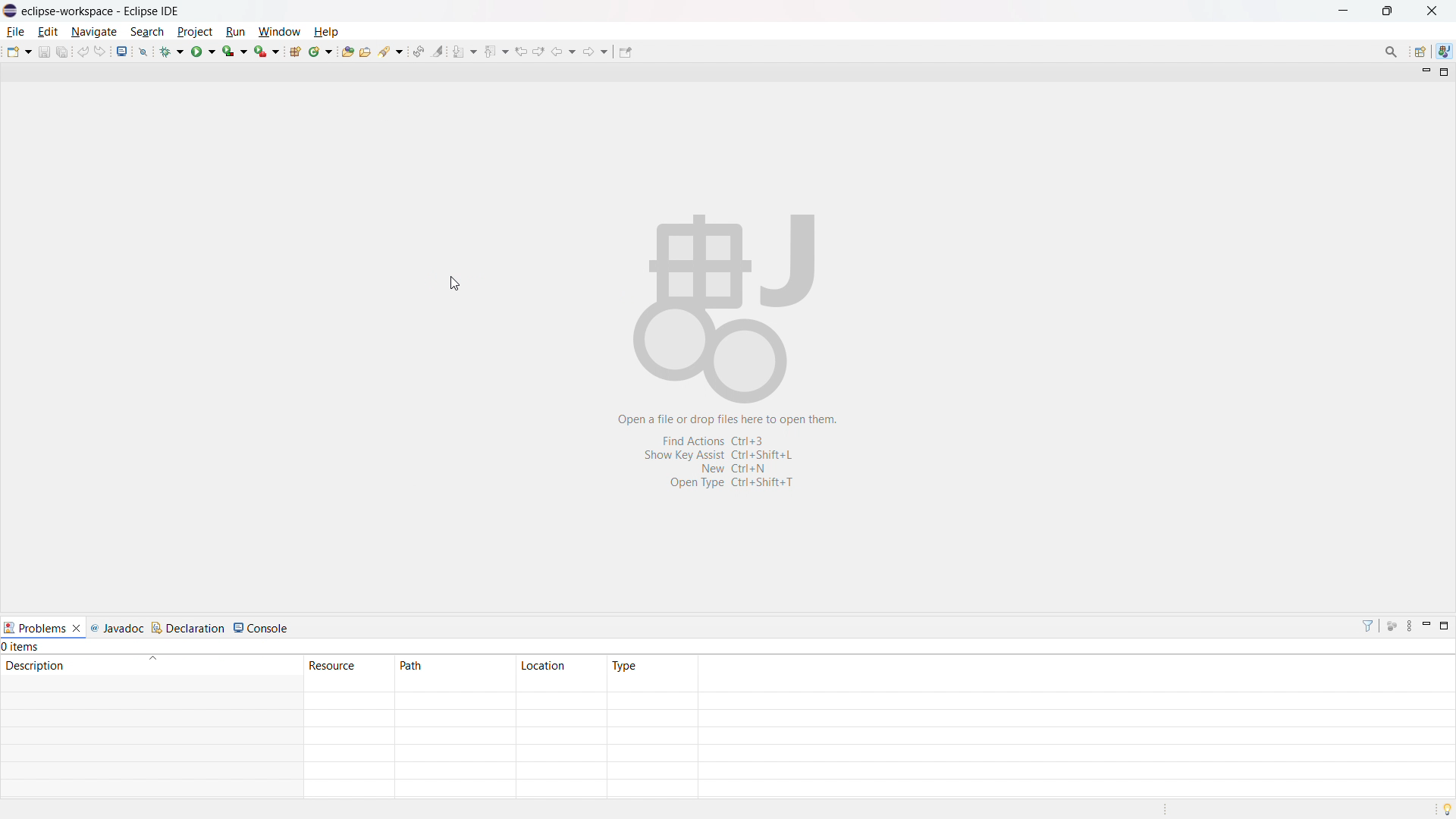 The image size is (1456, 819). Describe the element at coordinates (320, 51) in the screenshot. I see `new java class` at that location.